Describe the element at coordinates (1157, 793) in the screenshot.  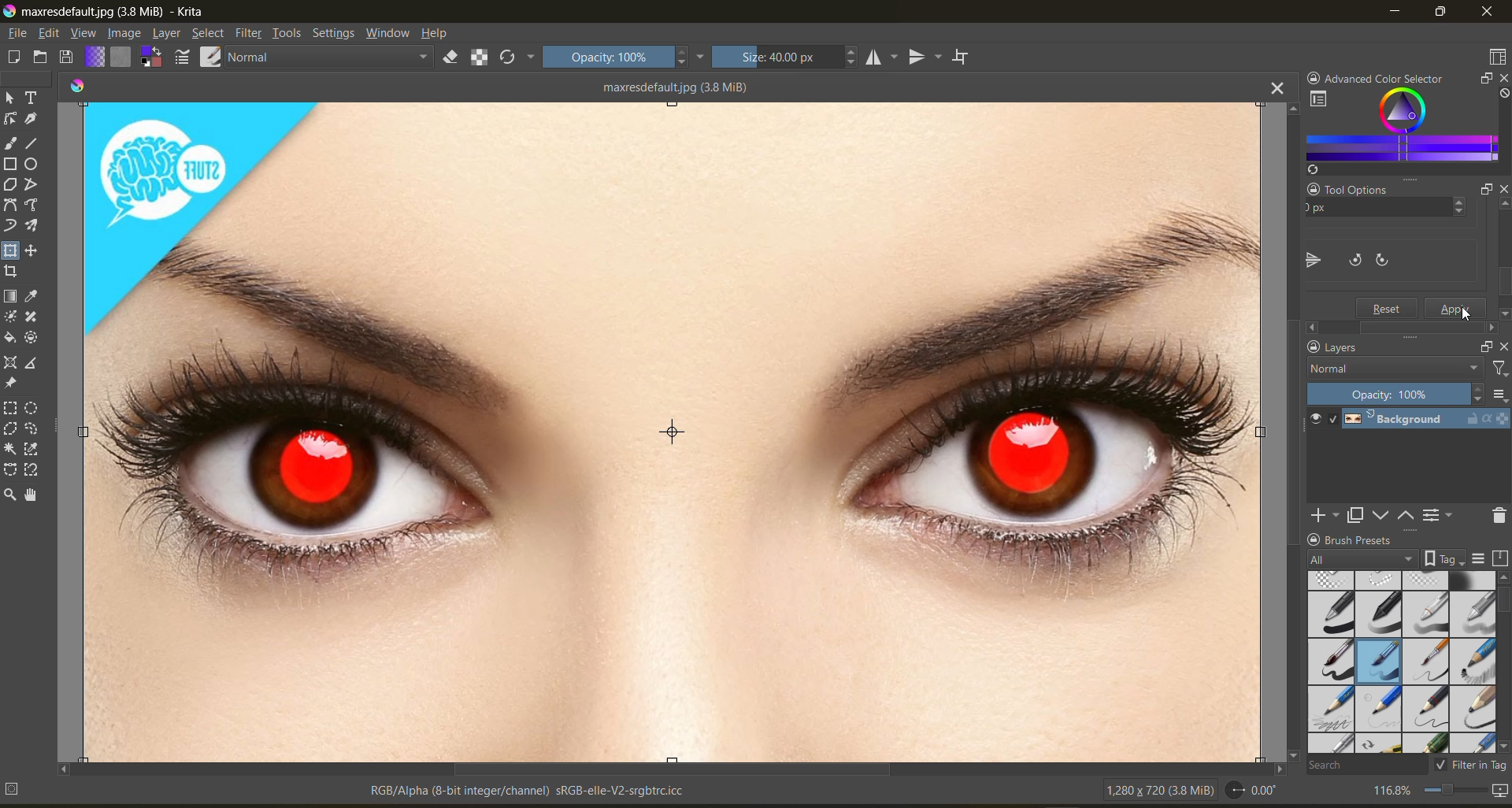
I see `image metadata` at that location.